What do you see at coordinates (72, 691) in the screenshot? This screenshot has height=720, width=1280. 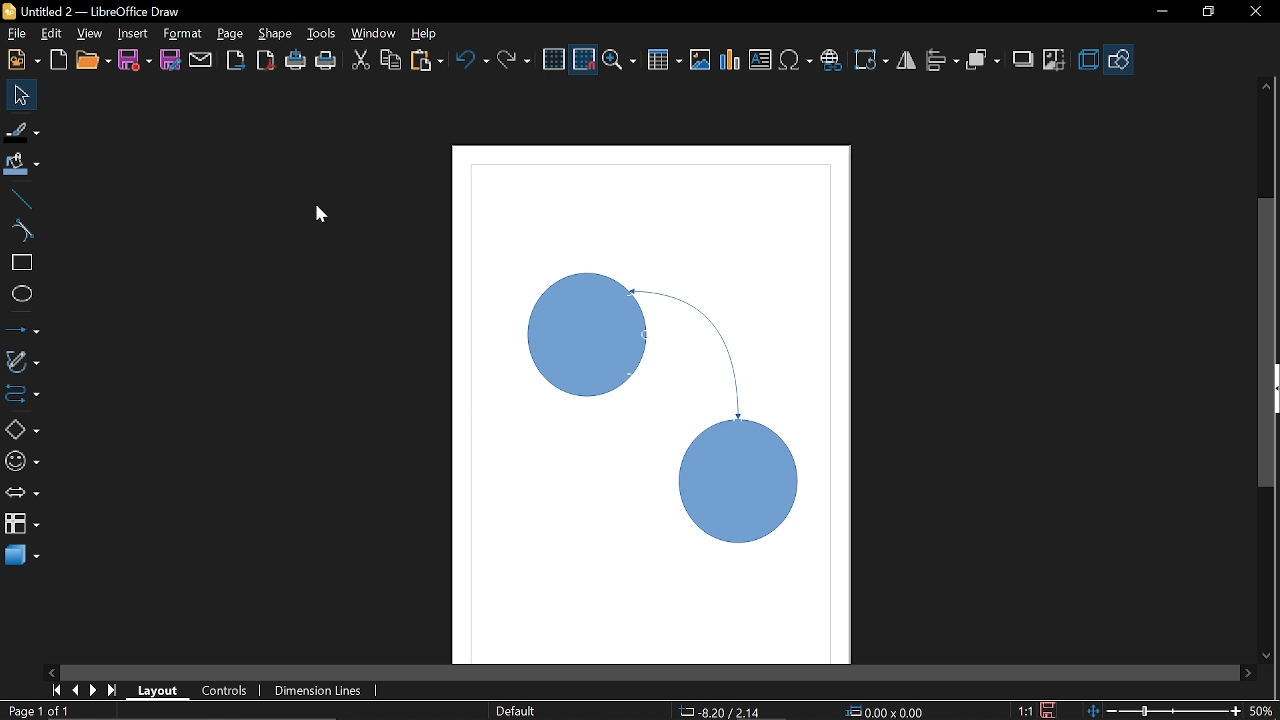 I see `previous page` at bounding box center [72, 691].